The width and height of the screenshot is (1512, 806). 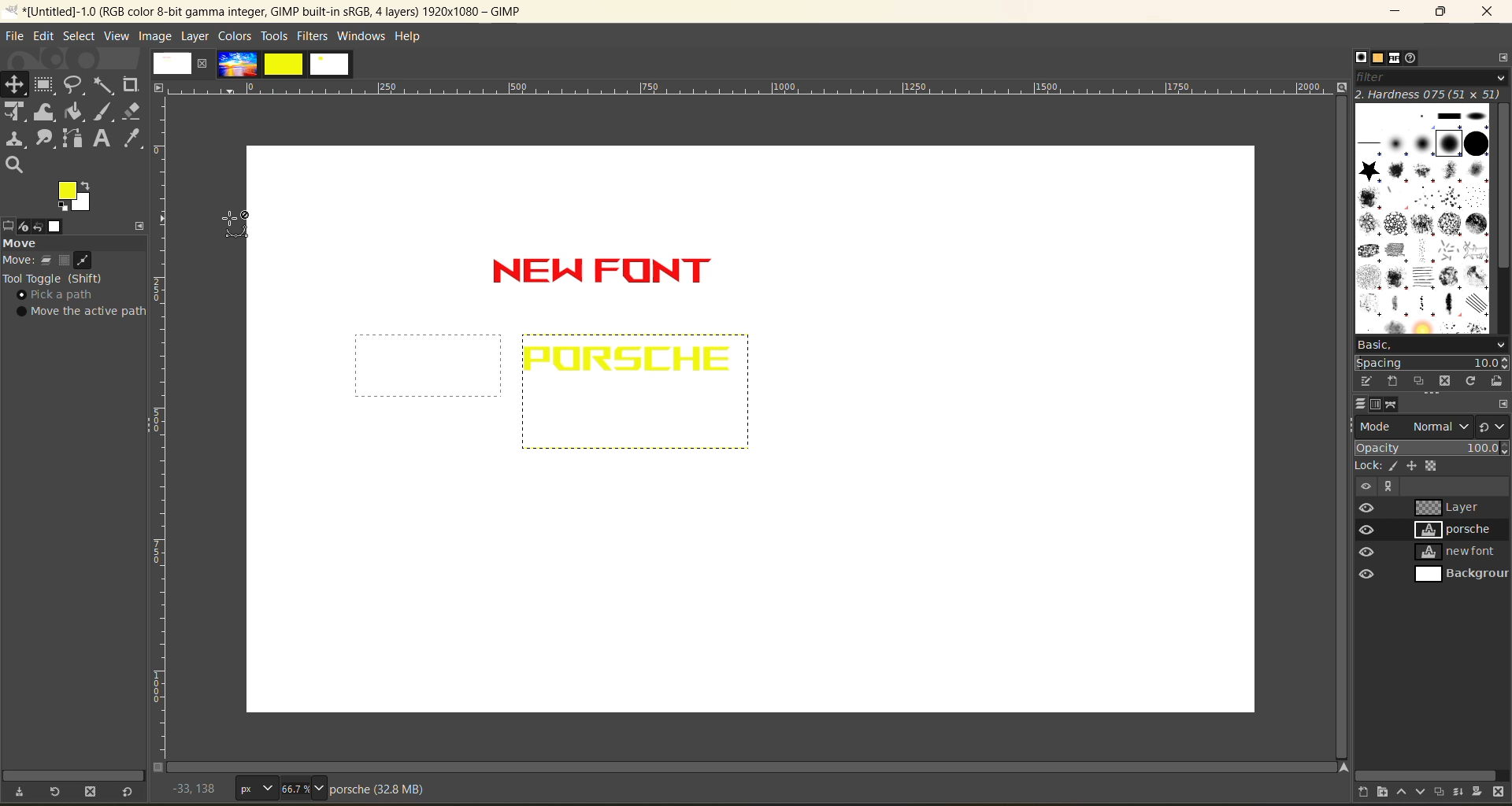 What do you see at coordinates (71, 314) in the screenshot?
I see `tool toggle` at bounding box center [71, 314].